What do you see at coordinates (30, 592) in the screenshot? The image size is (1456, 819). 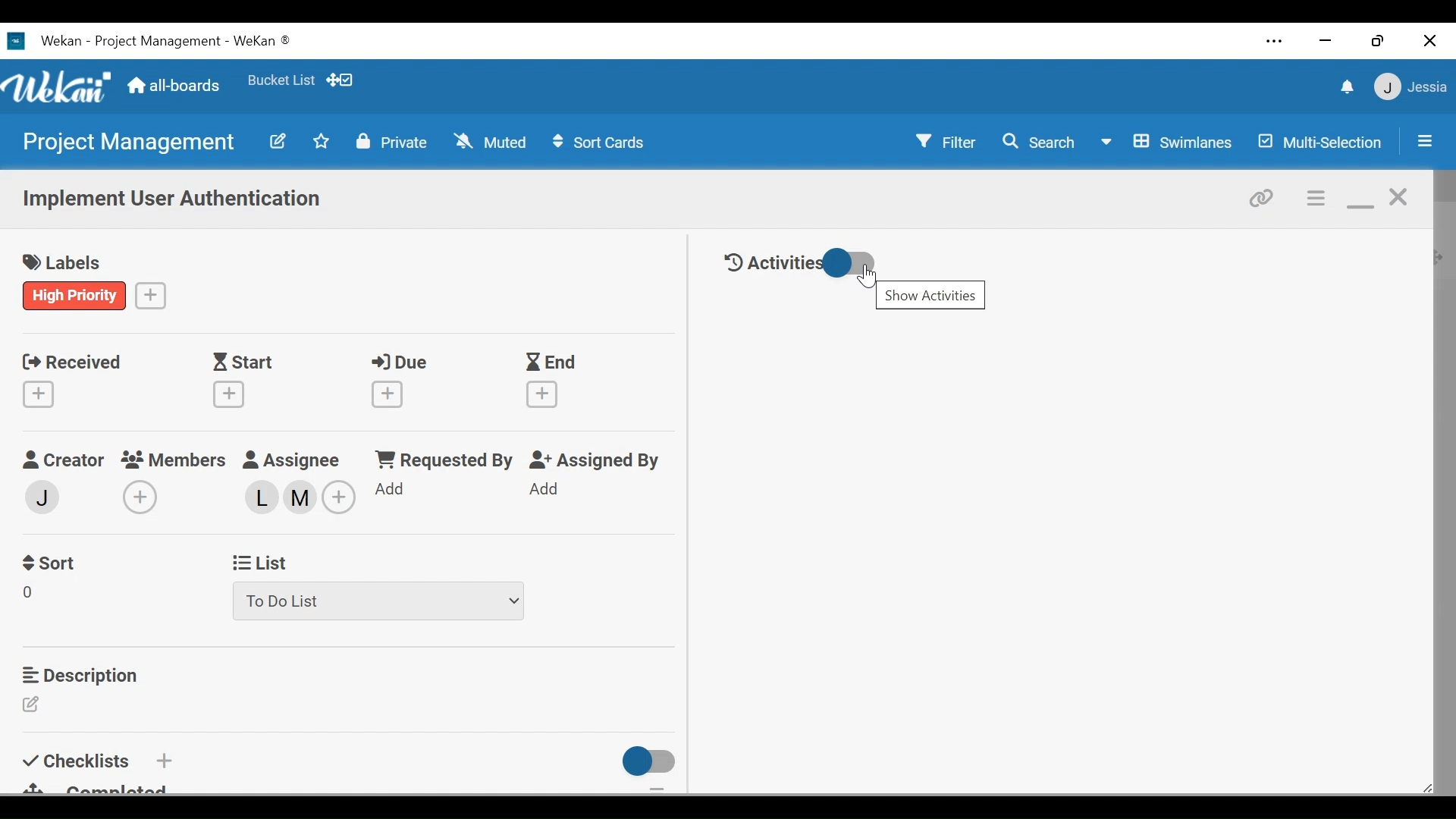 I see `Sort Field` at bounding box center [30, 592].